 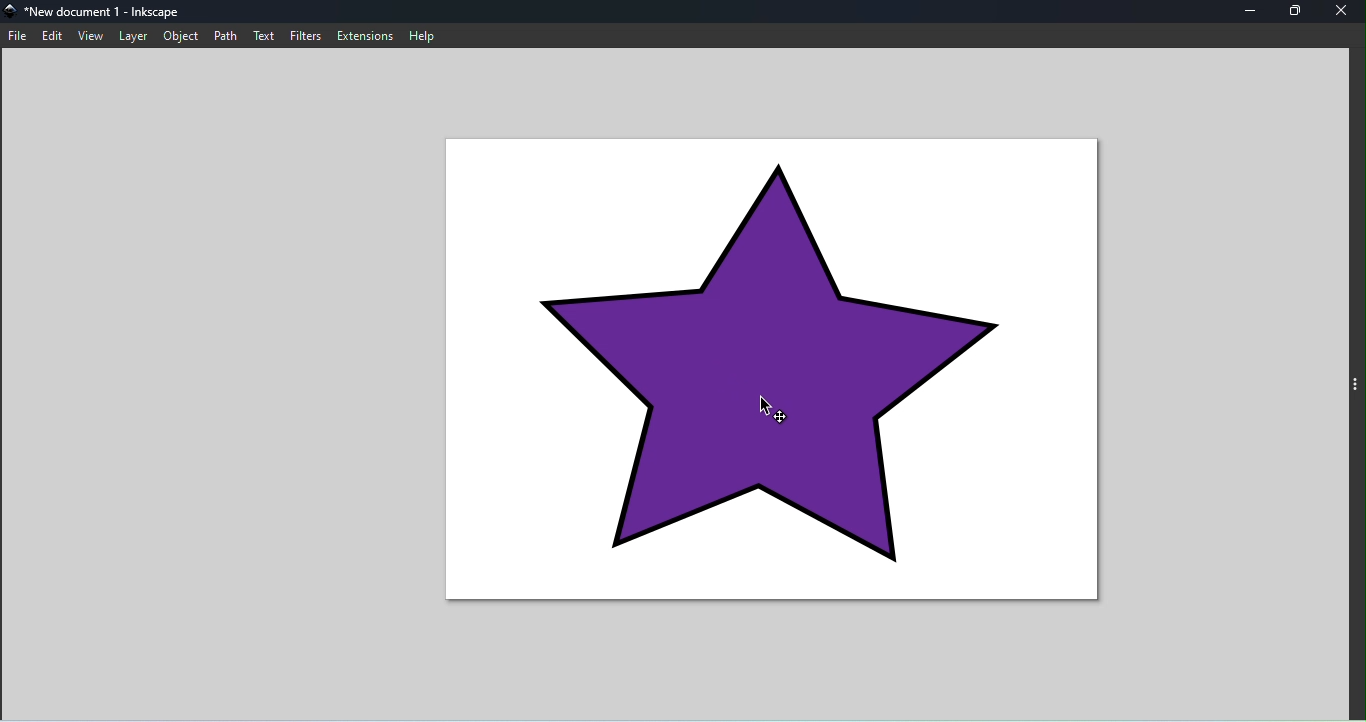 What do you see at coordinates (262, 35) in the screenshot?
I see `text` at bounding box center [262, 35].